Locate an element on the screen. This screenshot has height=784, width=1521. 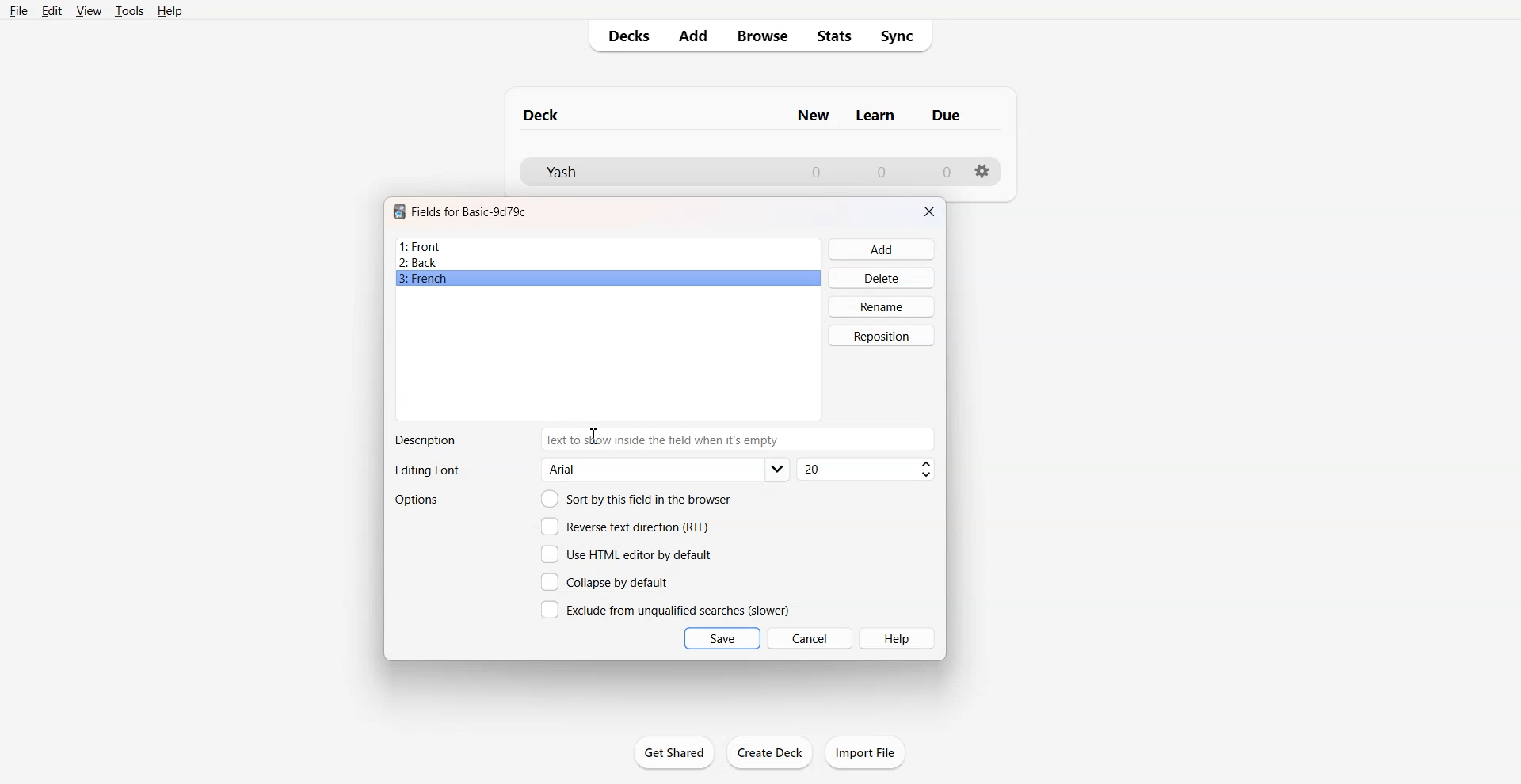
Save is located at coordinates (722, 638).